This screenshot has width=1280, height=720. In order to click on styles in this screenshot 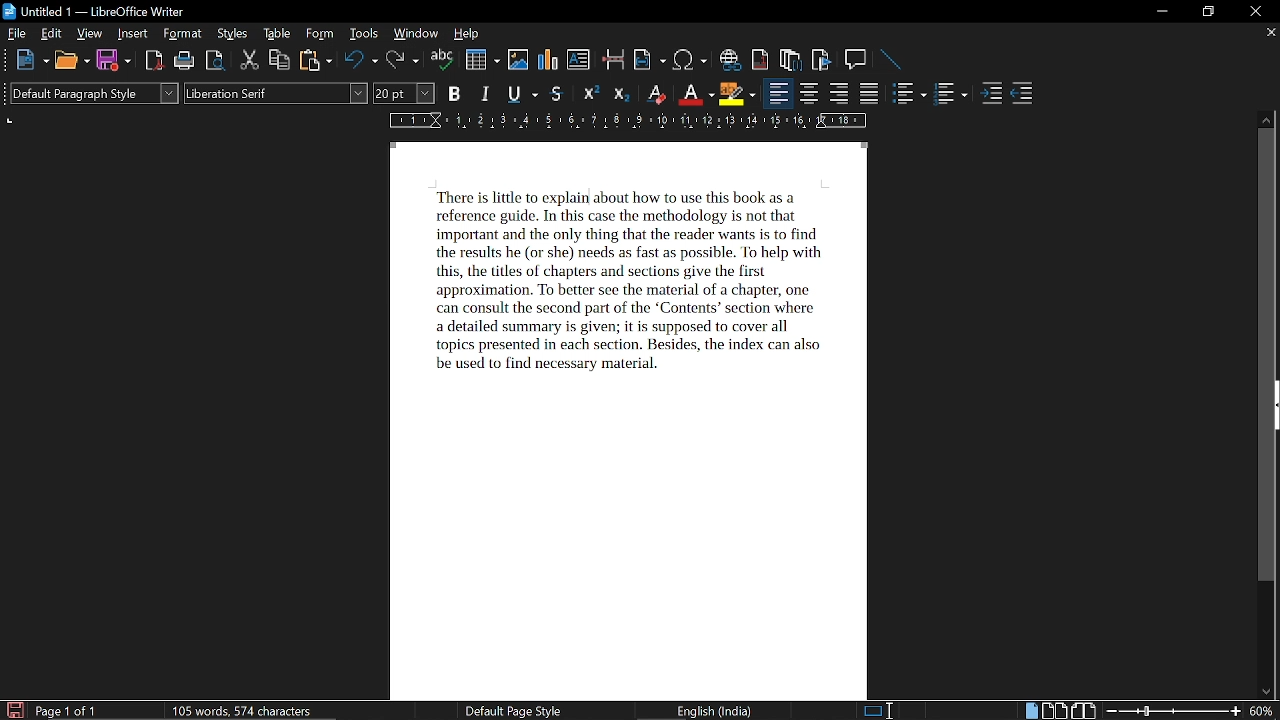, I will do `click(233, 35)`.